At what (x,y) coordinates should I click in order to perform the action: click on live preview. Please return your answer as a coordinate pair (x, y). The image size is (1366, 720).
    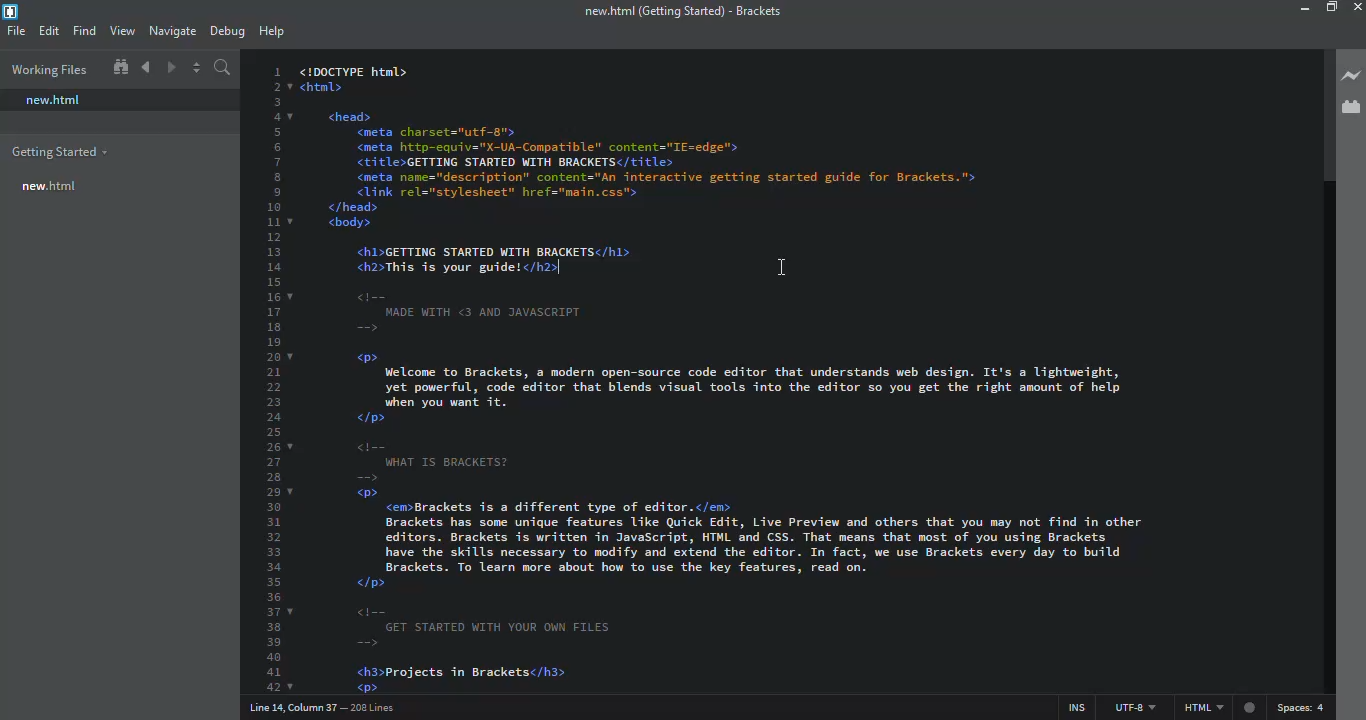
    Looking at the image, I should click on (1349, 76).